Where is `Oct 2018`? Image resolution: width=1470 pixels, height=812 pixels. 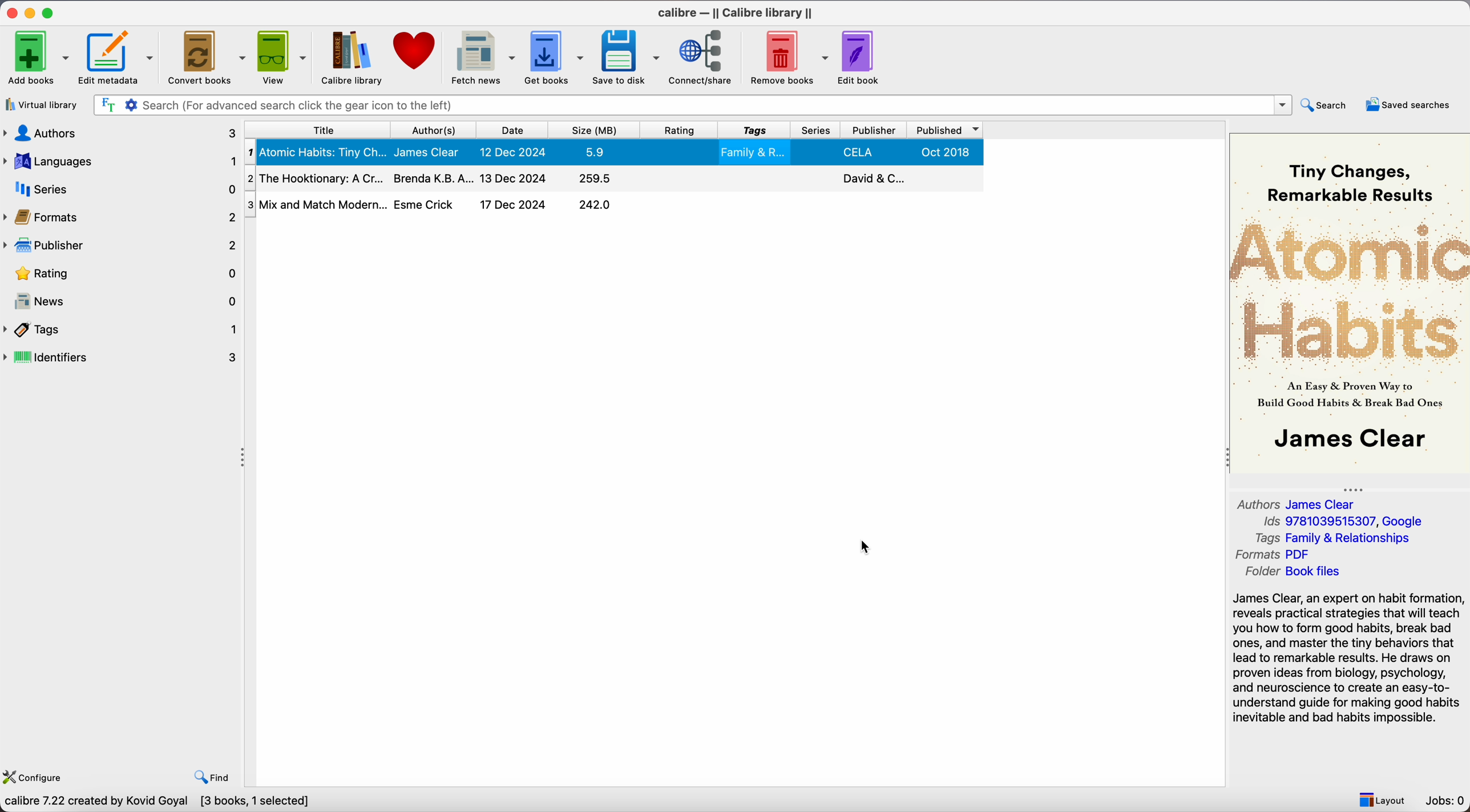 Oct 2018 is located at coordinates (948, 152).